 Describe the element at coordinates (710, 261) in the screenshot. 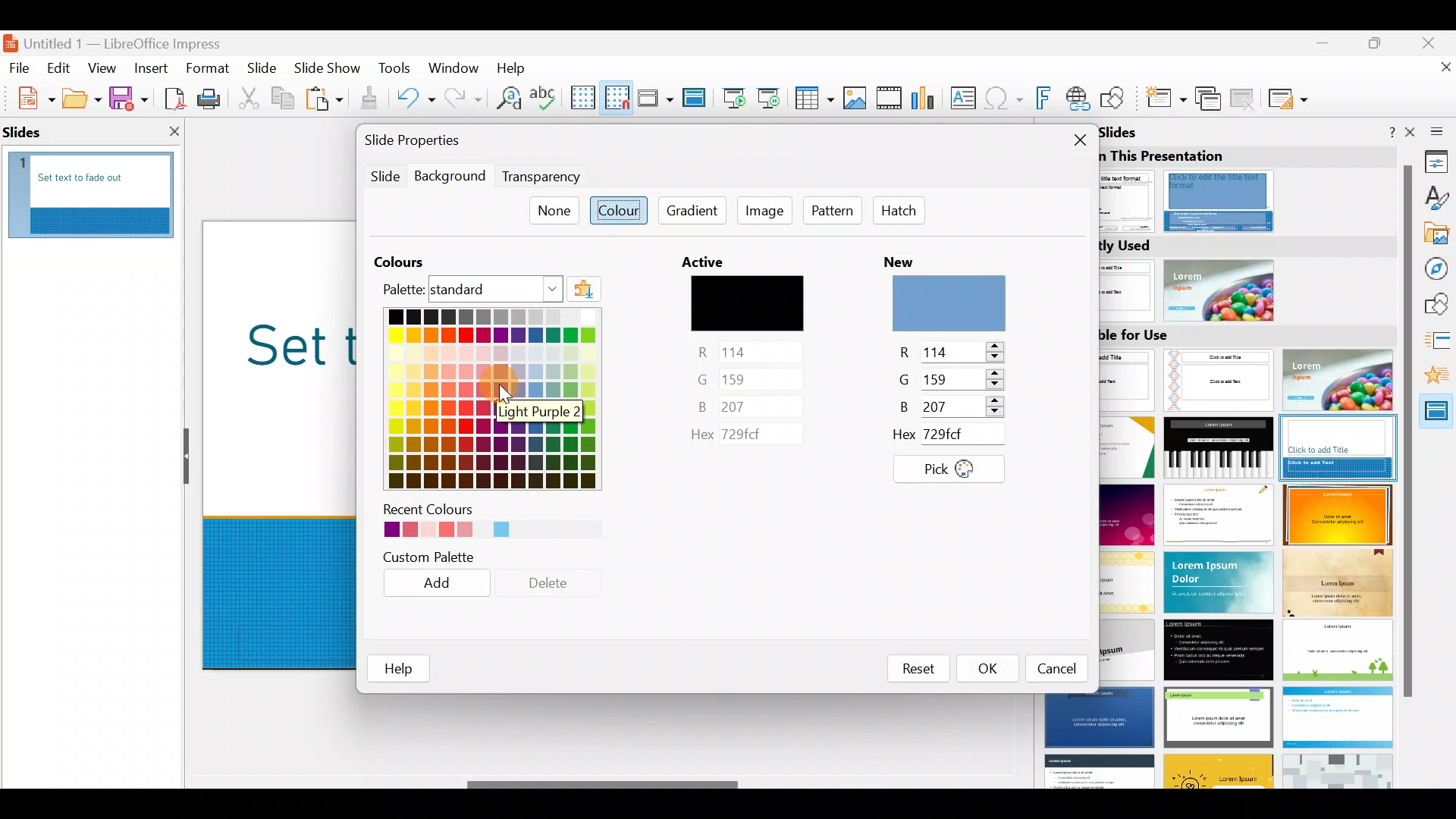

I see `active` at that location.